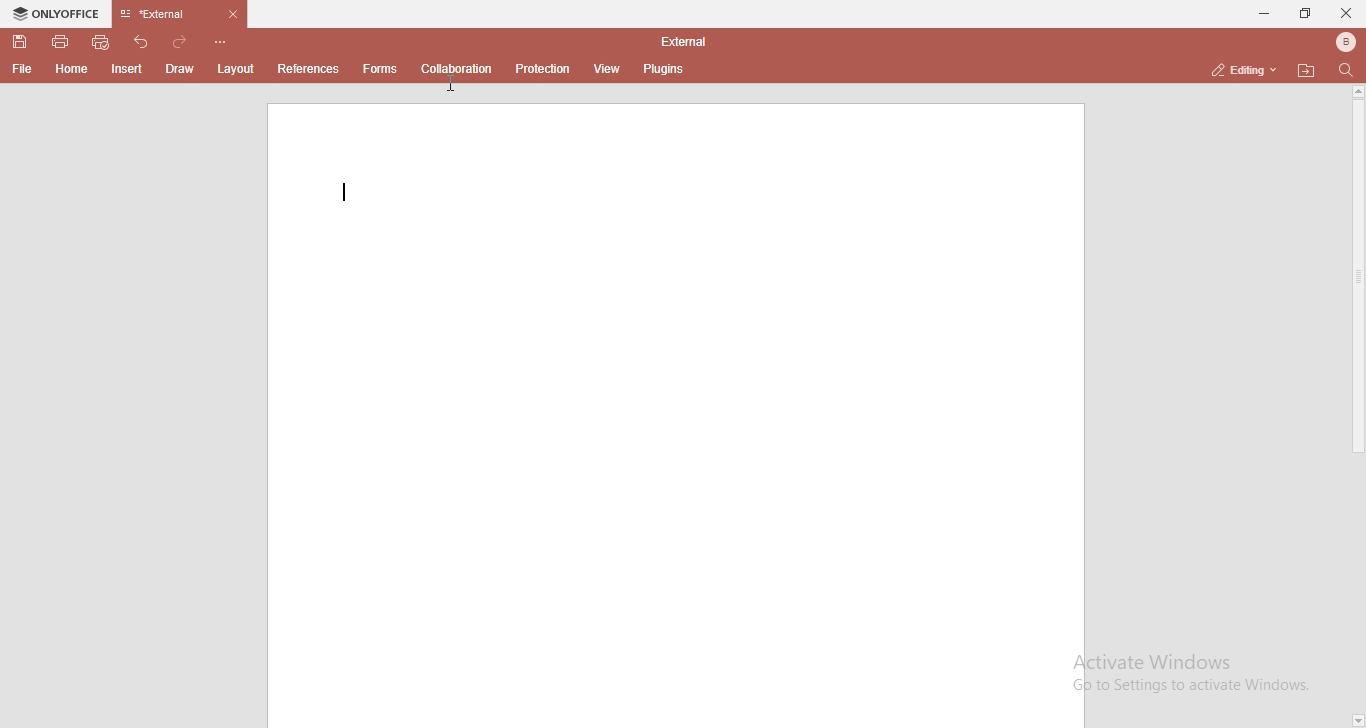 This screenshot has width=1366, height=728. Describe the element at coordinates (1239, 70) in the screenshot. I see `editing` at that location.